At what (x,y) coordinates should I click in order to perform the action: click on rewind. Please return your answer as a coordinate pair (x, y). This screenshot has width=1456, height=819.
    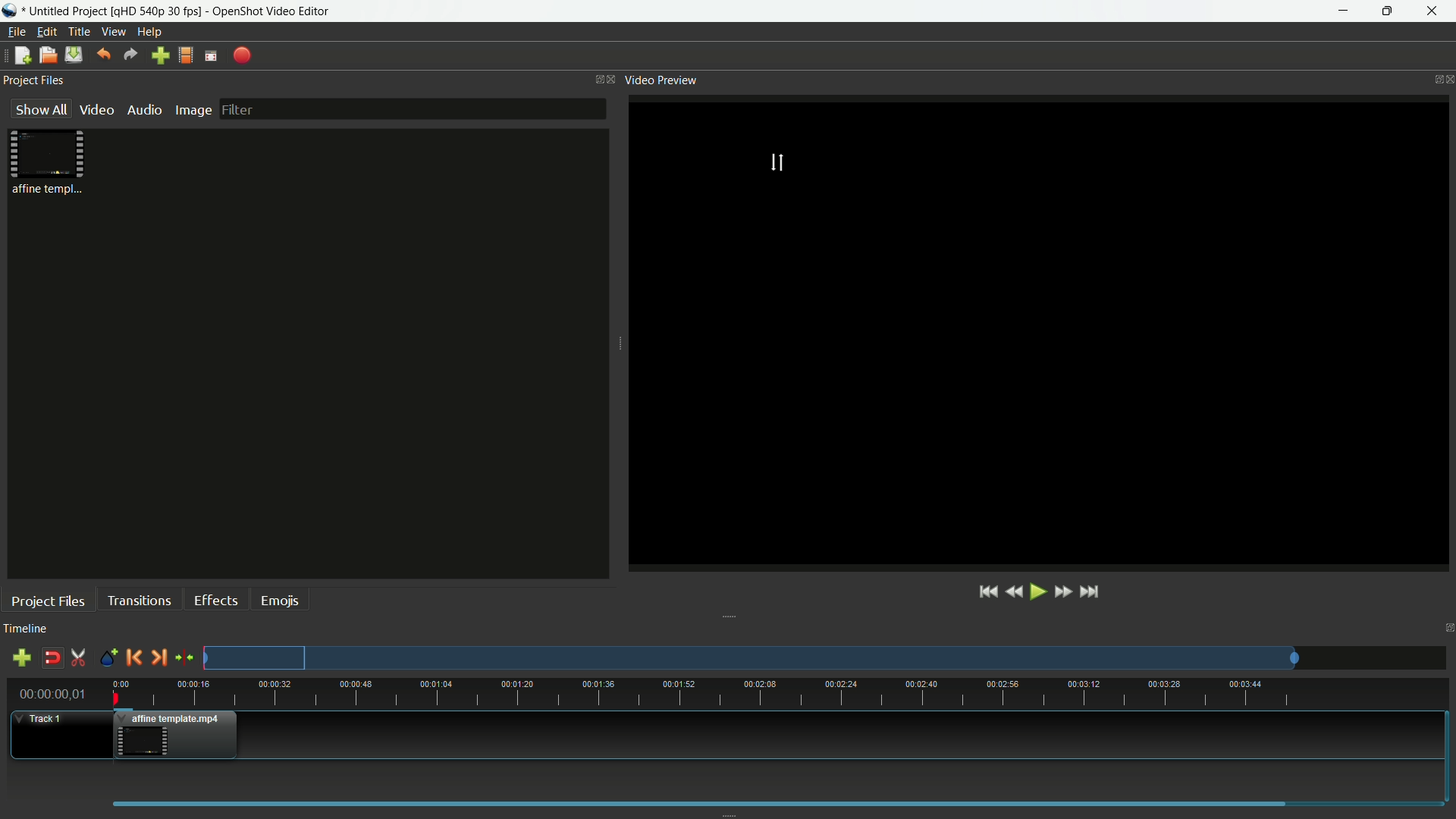
    Looking at the image, I should click on (1013, 591).